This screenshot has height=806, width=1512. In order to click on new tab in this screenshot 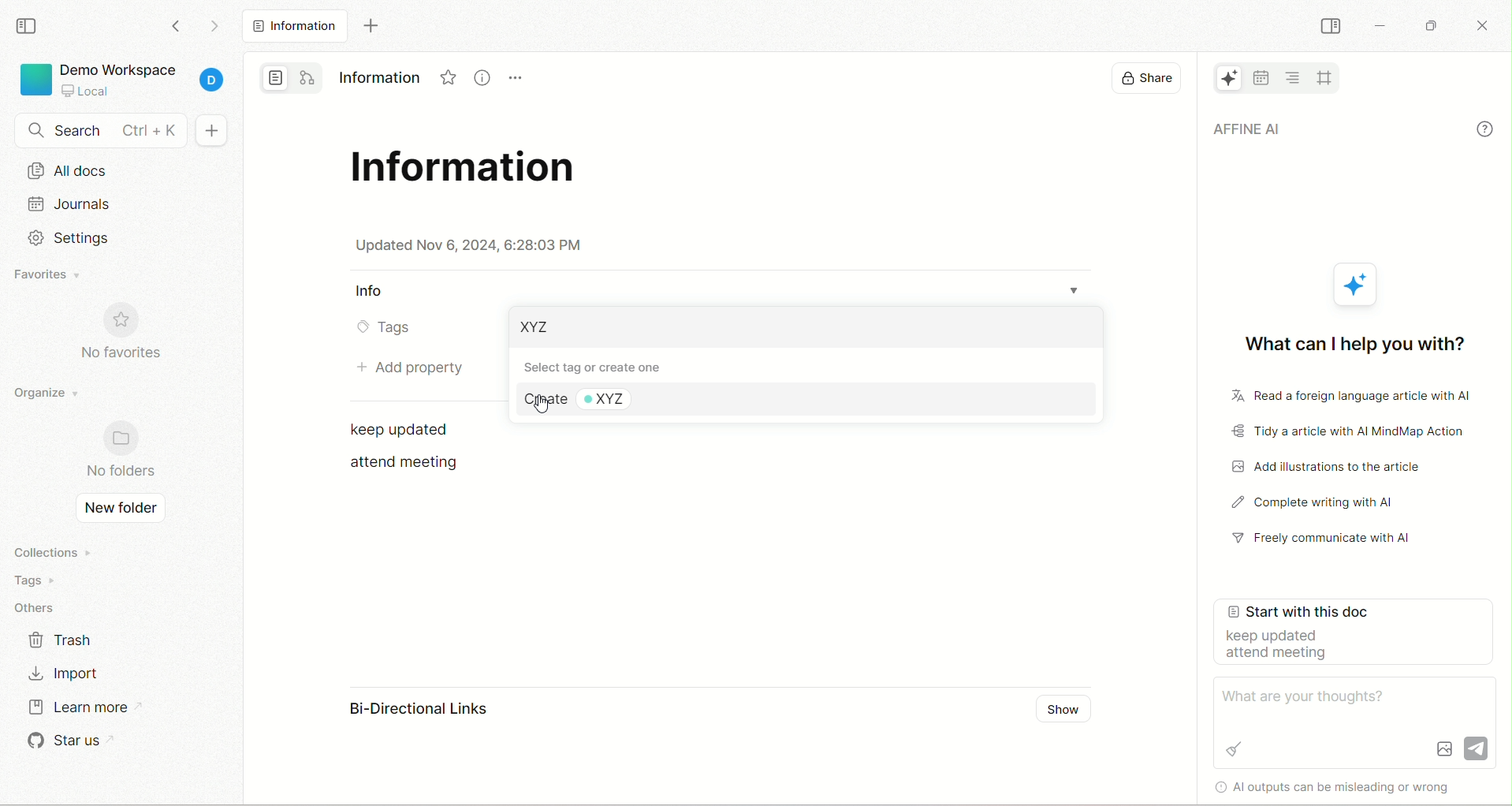, I will do `click(367, 27)`.